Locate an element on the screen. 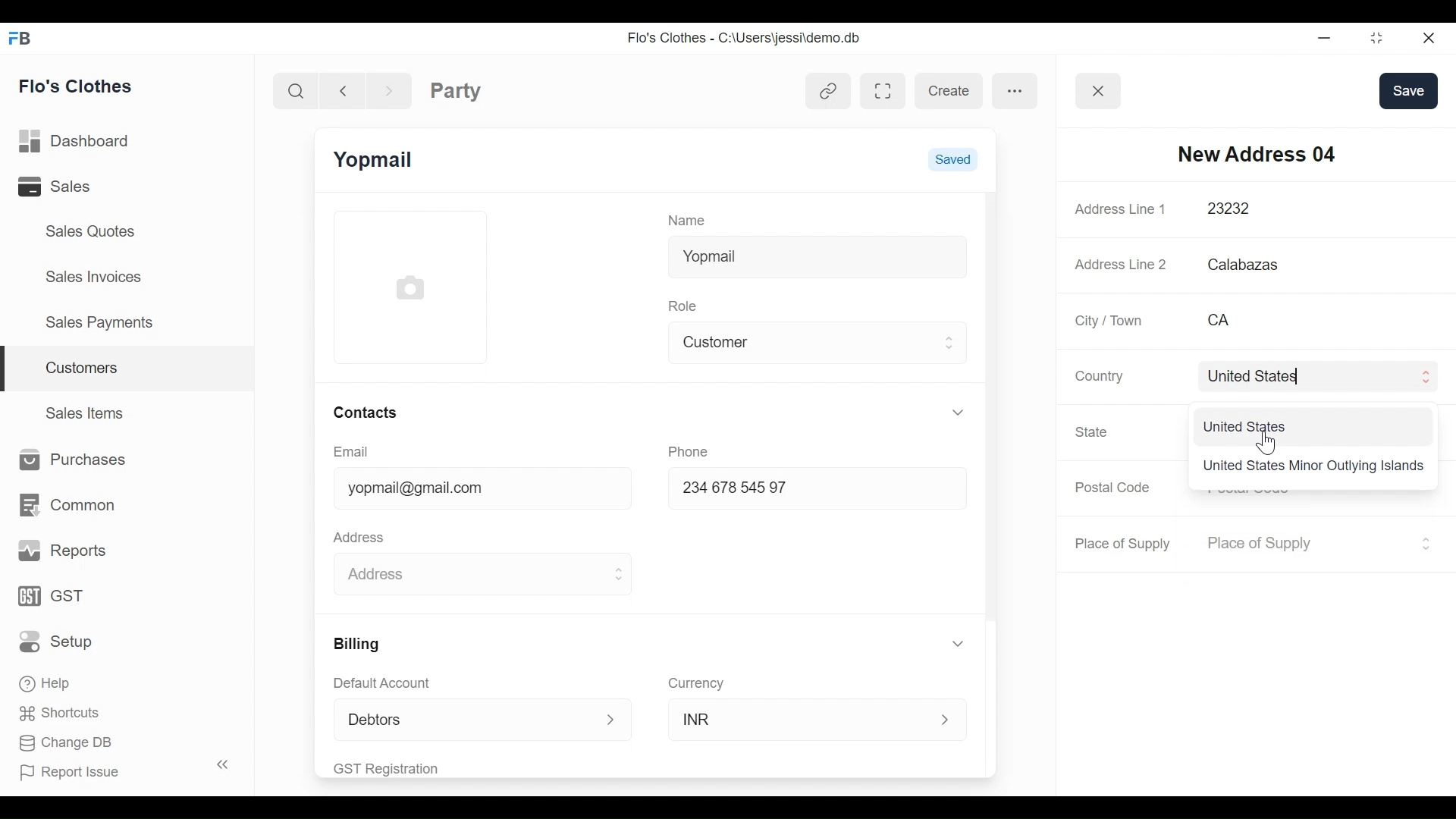 This screenshot has height=819, width=1456. INR is located at coordinates (801, 718).